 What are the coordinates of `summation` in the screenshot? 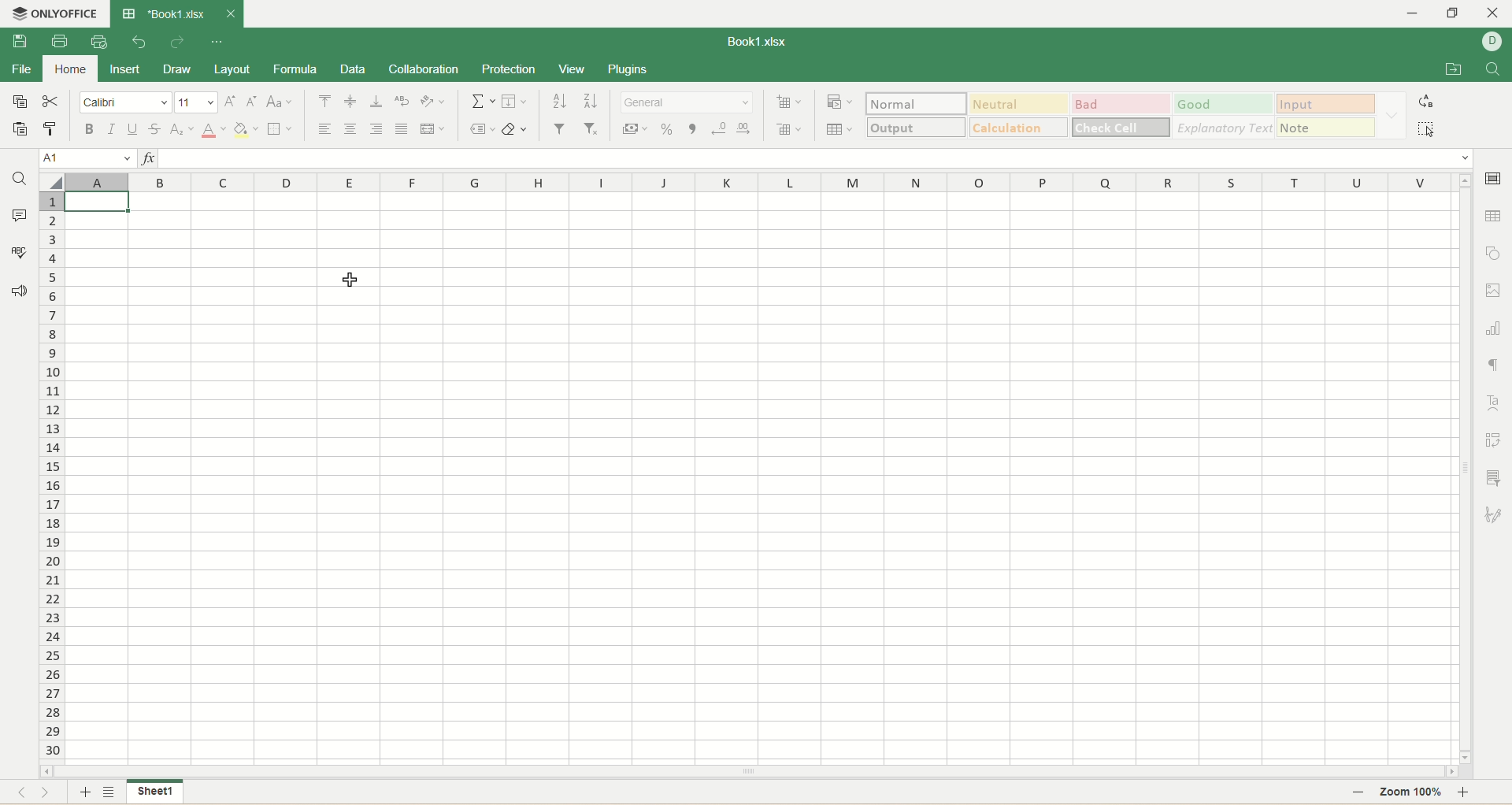 It's located at (485, 101).